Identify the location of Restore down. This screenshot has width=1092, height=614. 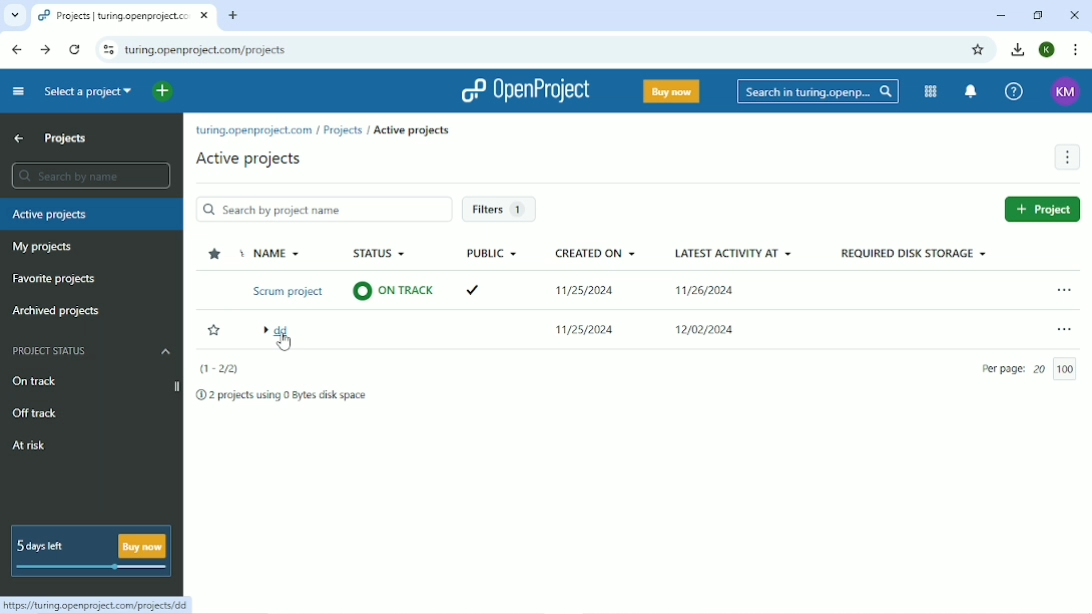
(1039, 15).